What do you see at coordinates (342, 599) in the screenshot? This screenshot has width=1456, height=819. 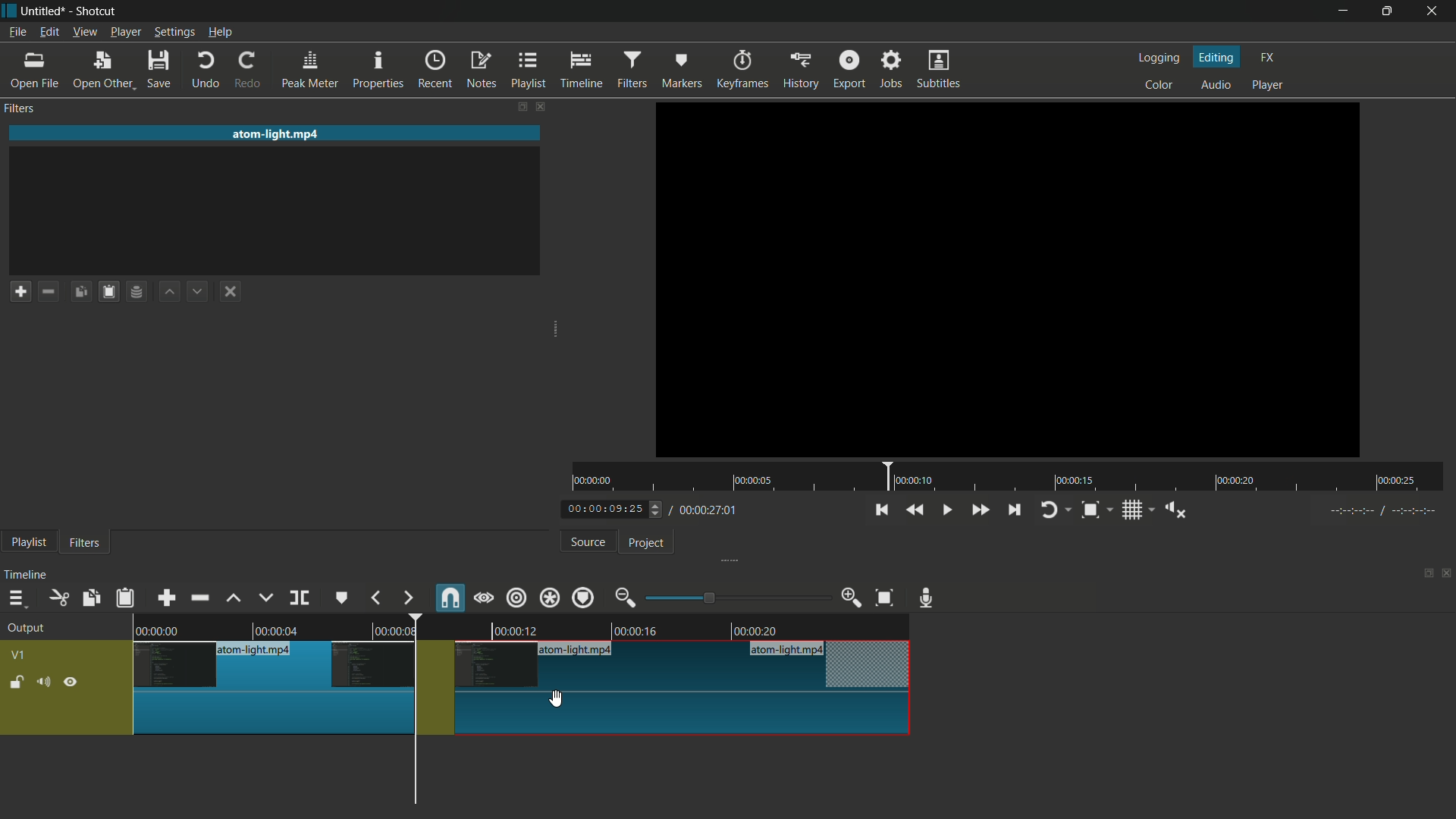 I see `create or edit marker` at bounding box center [342, 599].